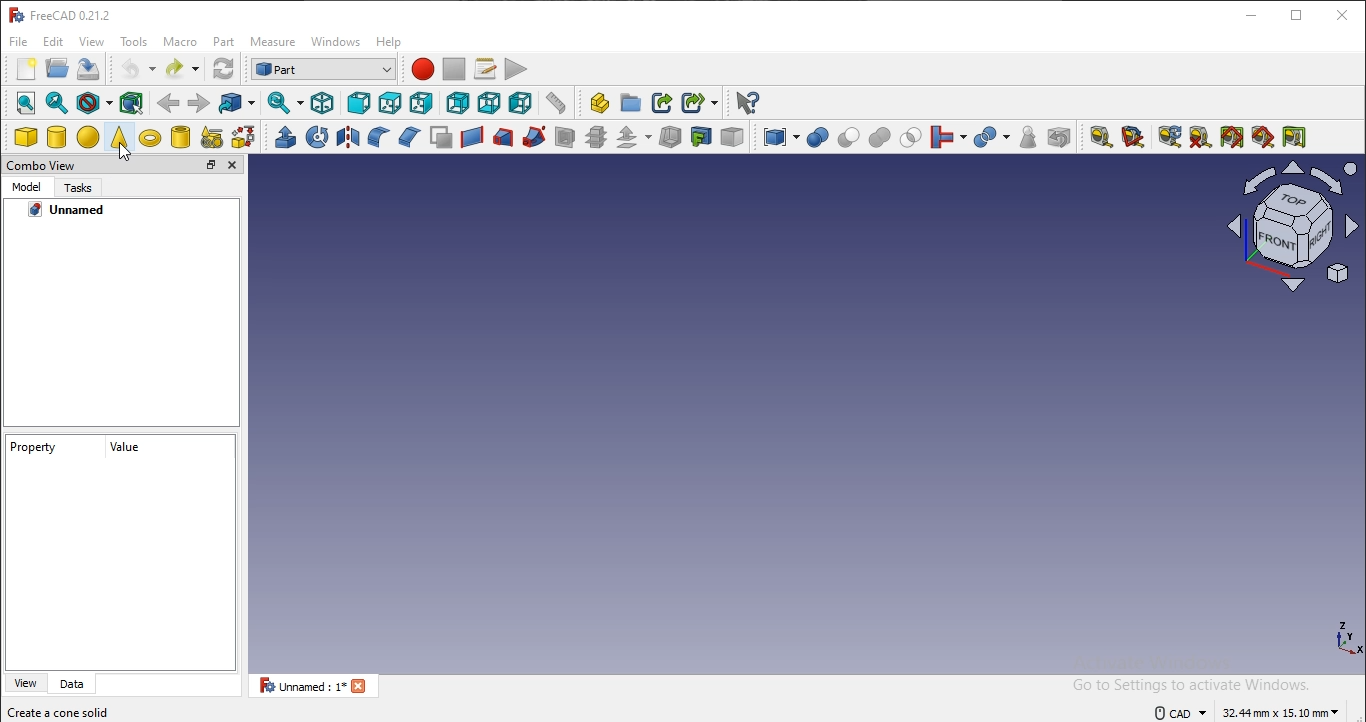 This screenshot has width=1366, height=722. Describe the element at coordinates (57, 711) in the screenshot. I see `create a cone solid` at that location.